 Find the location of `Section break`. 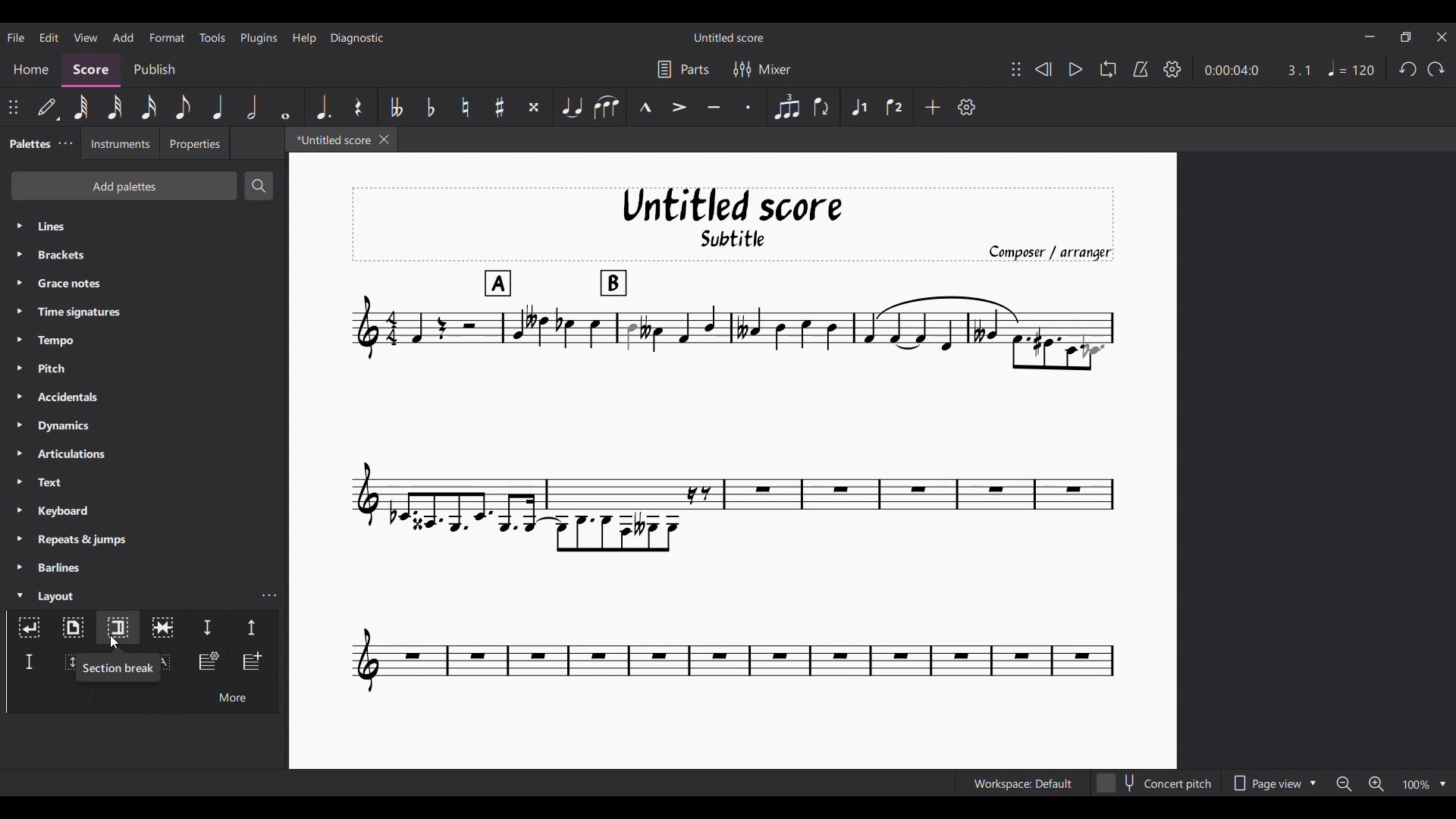

Section break is located at coordinates (117, 668).